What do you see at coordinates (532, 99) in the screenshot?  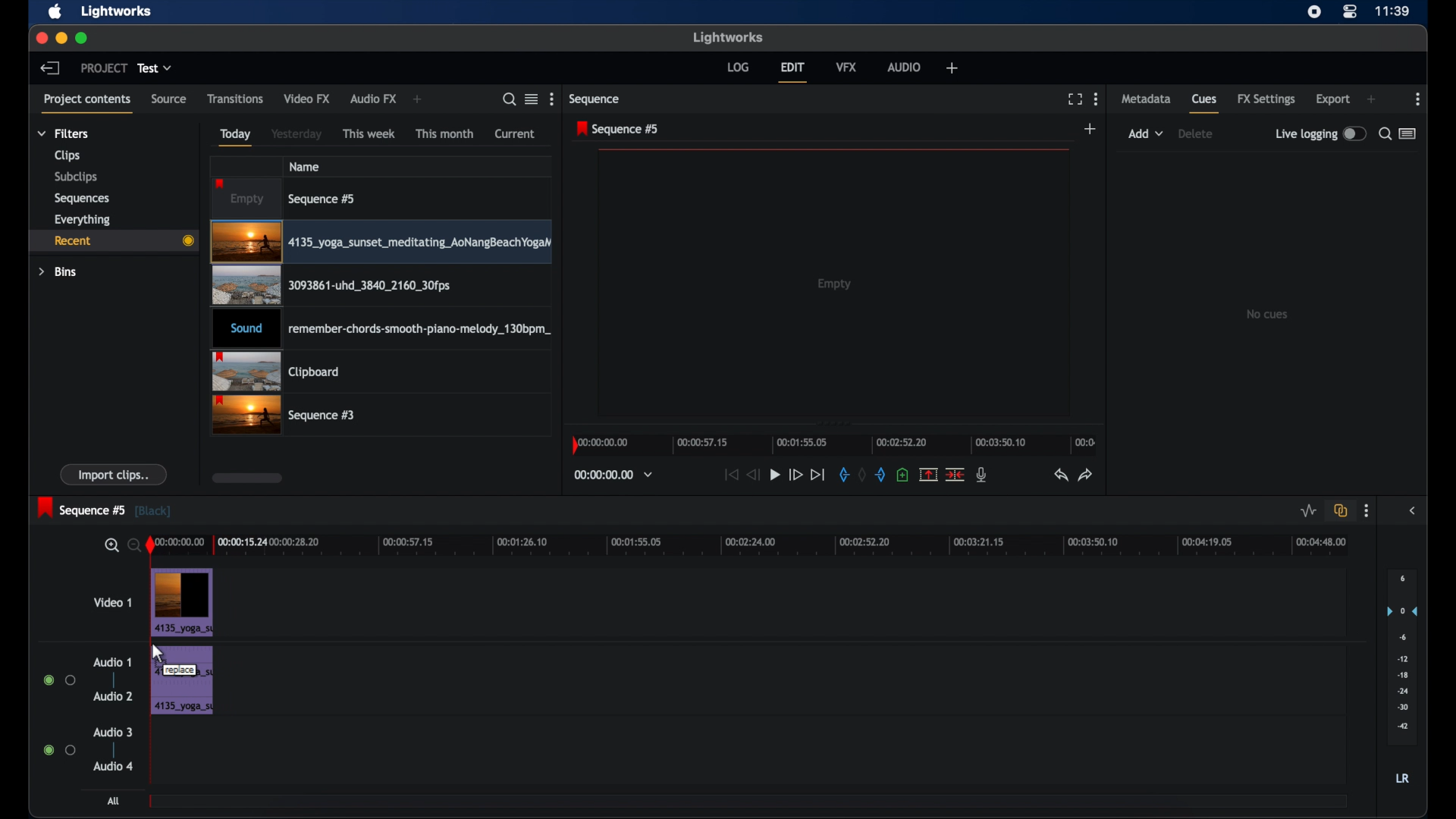 I see `toggle list or tile view` at bounding box center [532, 99].